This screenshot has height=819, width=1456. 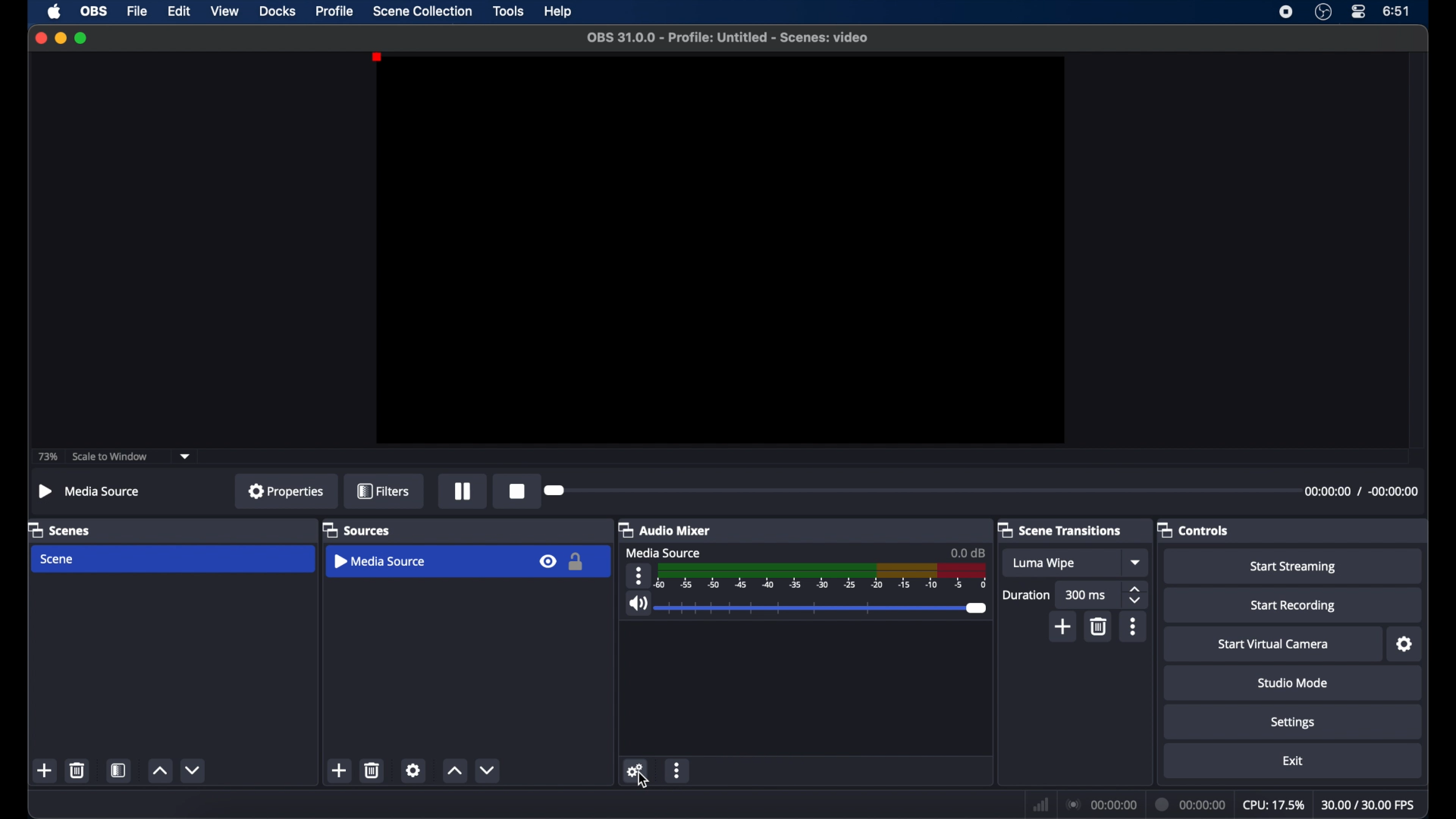 I want to click on properties, so click(x=287, y=491).